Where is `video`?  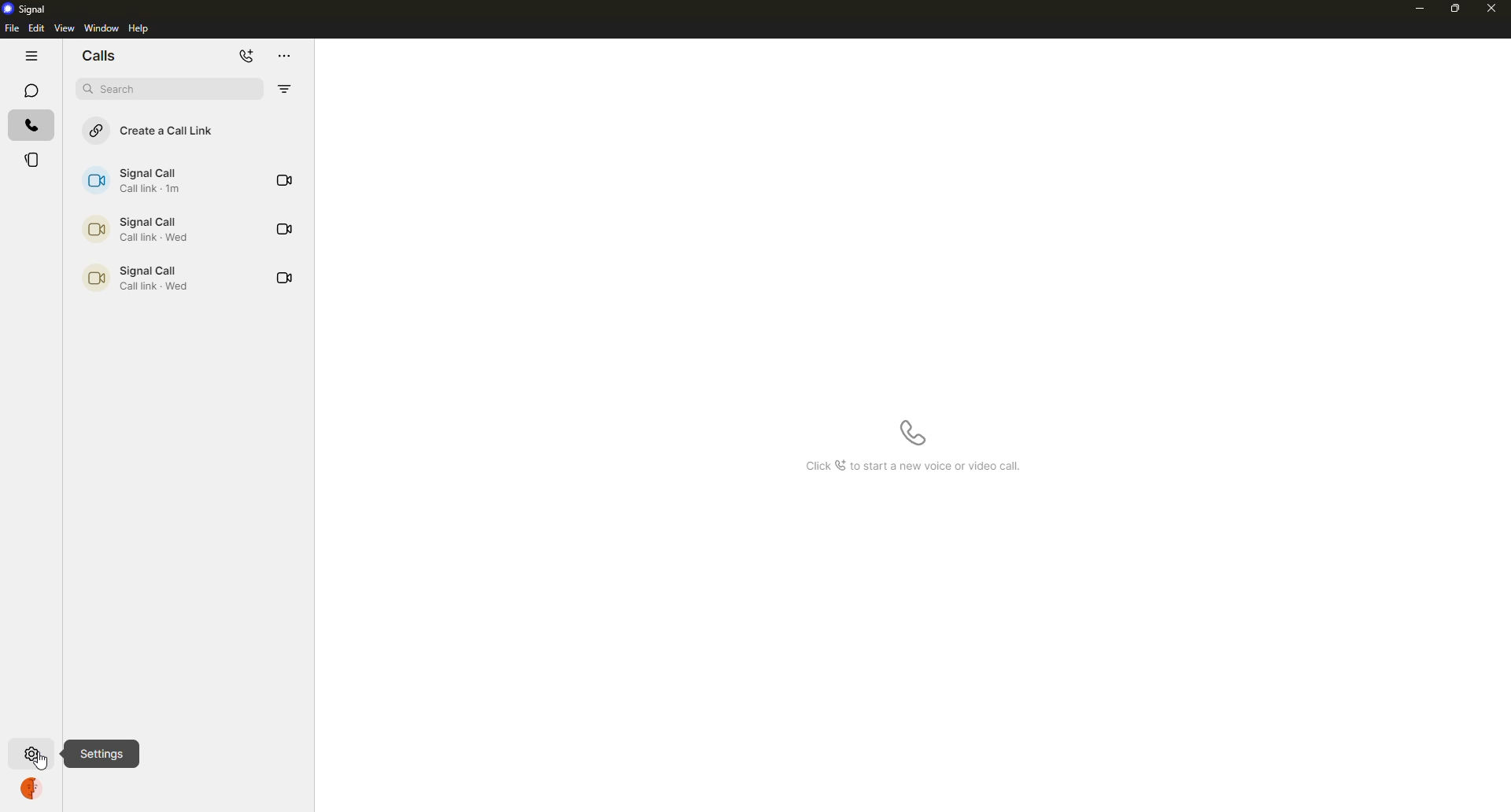 video is located at coordinates (282, 278).